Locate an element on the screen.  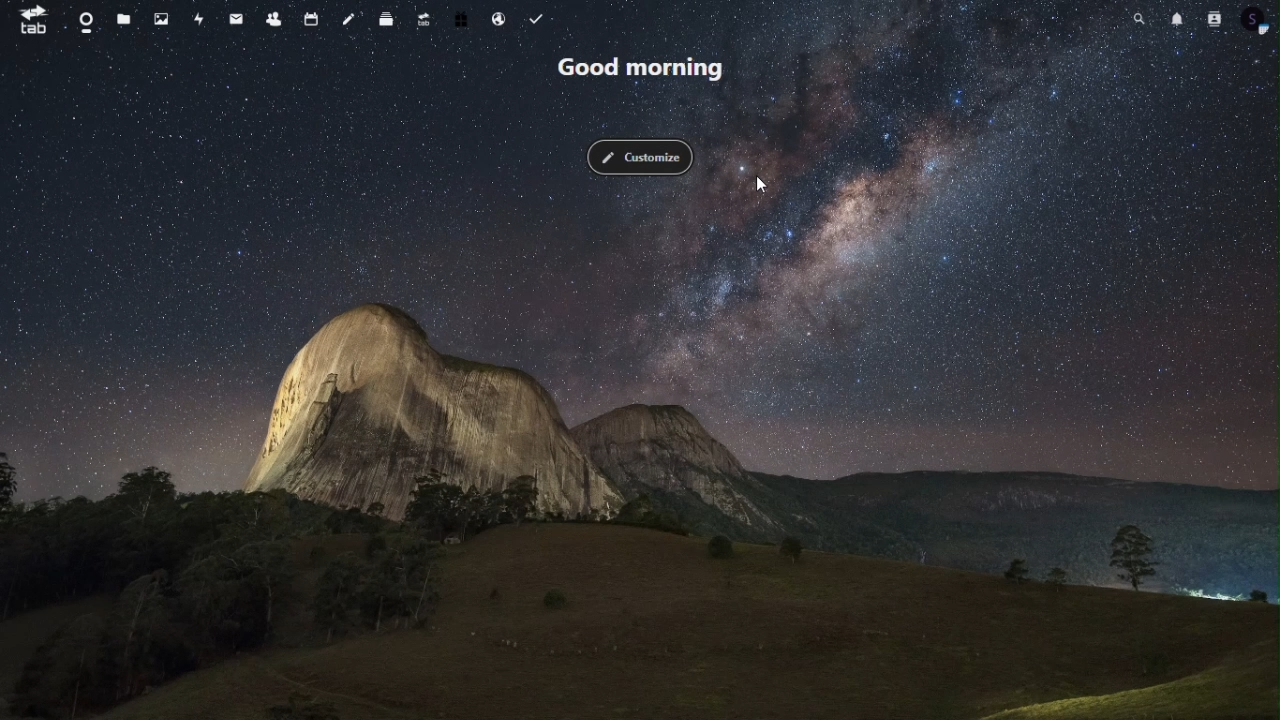
tasks is located at coordinates (536, 17).